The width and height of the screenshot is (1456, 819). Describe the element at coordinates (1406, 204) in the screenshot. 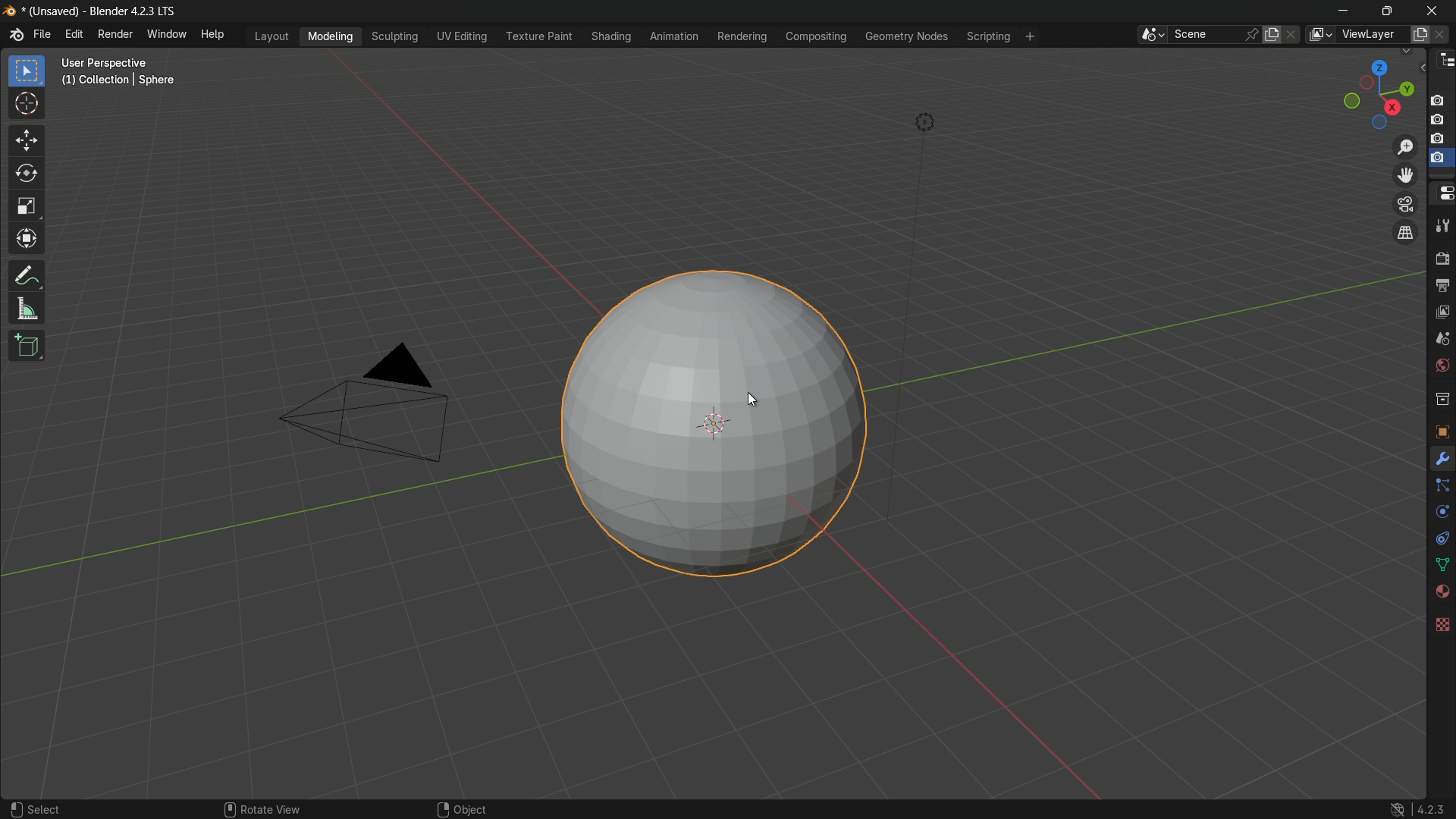

I see `toggle the camera view` at that location.